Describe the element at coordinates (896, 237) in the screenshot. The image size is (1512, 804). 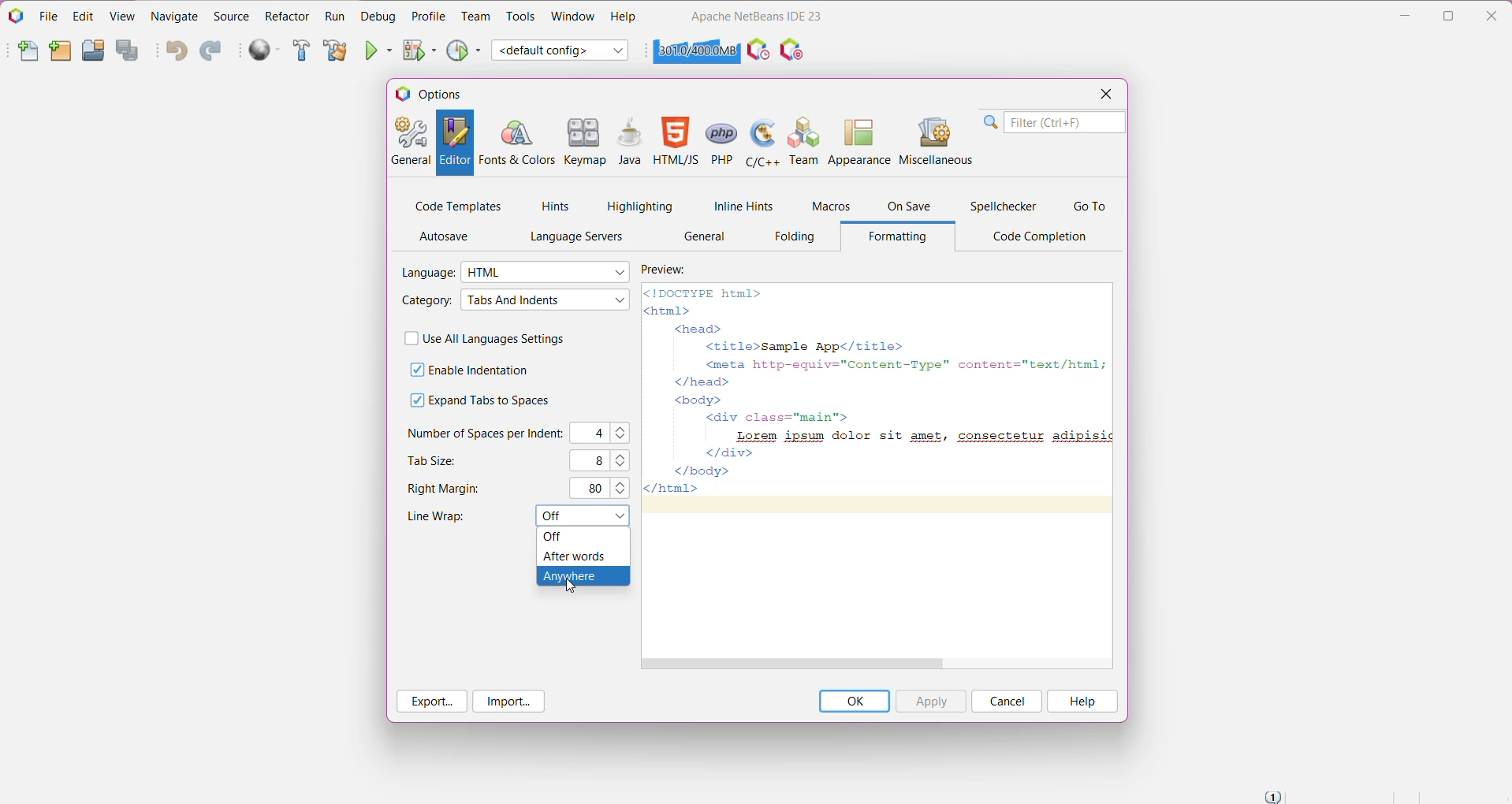
I see `Formatting Tab opened` at that location.